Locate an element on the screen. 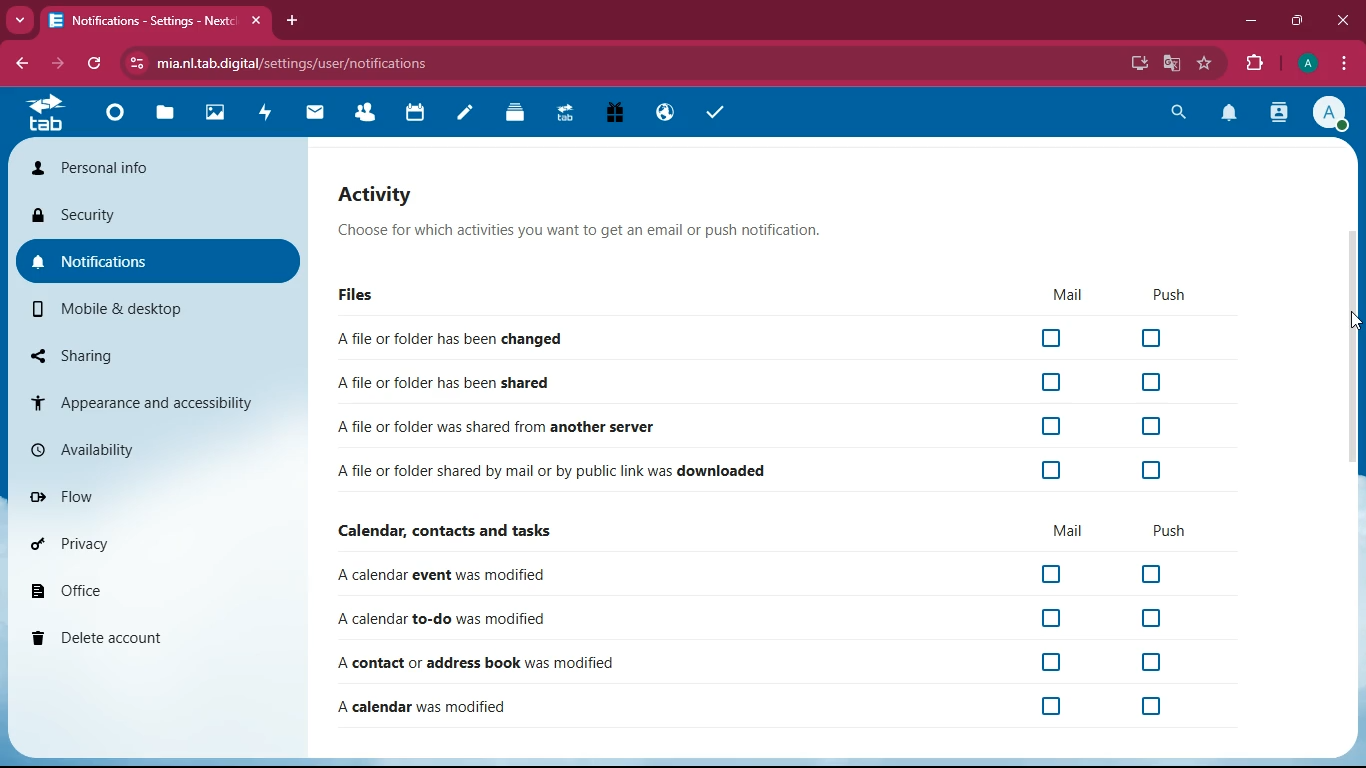  close is located at coordinates (1342, 22).